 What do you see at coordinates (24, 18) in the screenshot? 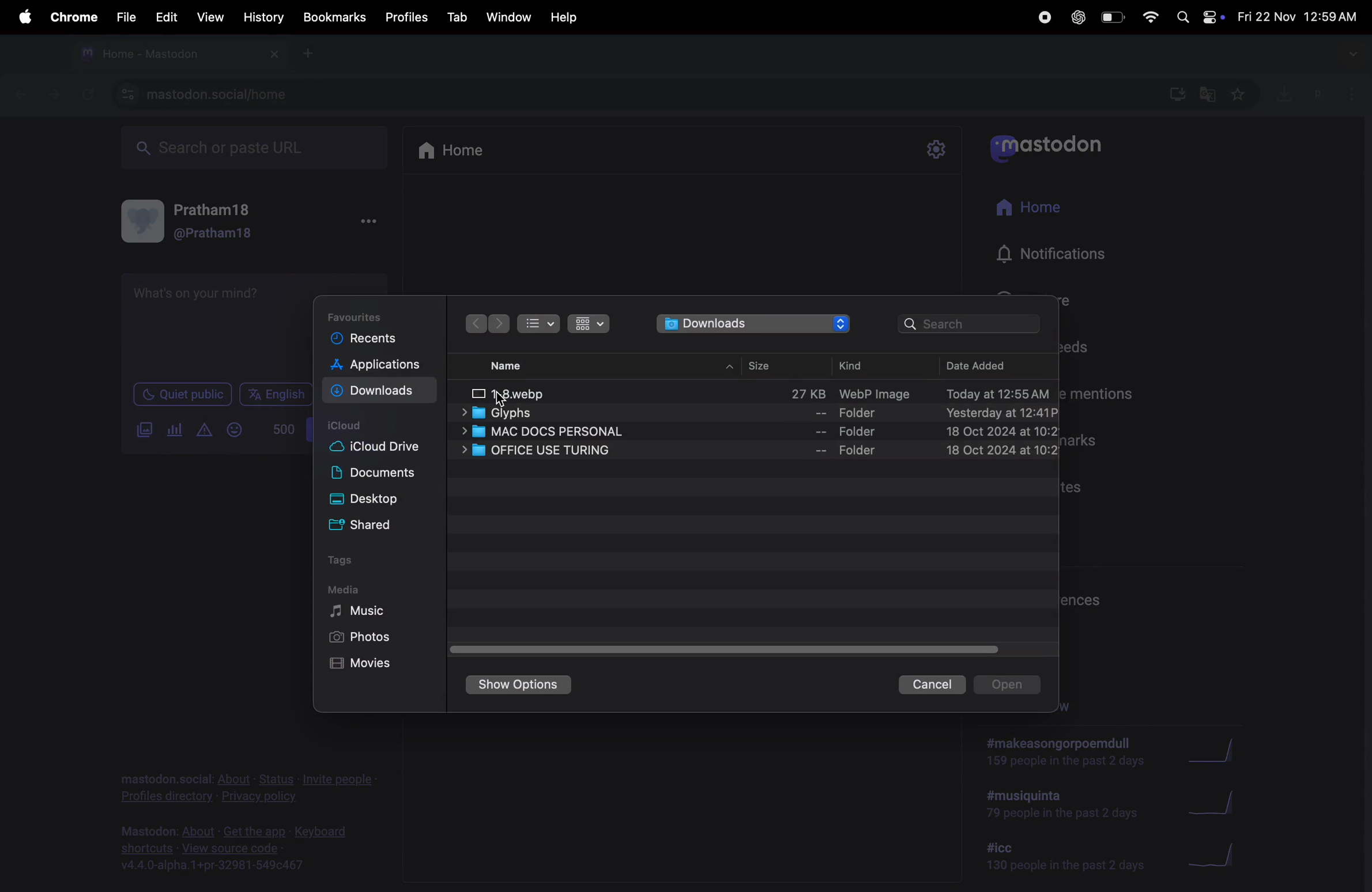
I see `apple menu` at bounding box center [24, 18].